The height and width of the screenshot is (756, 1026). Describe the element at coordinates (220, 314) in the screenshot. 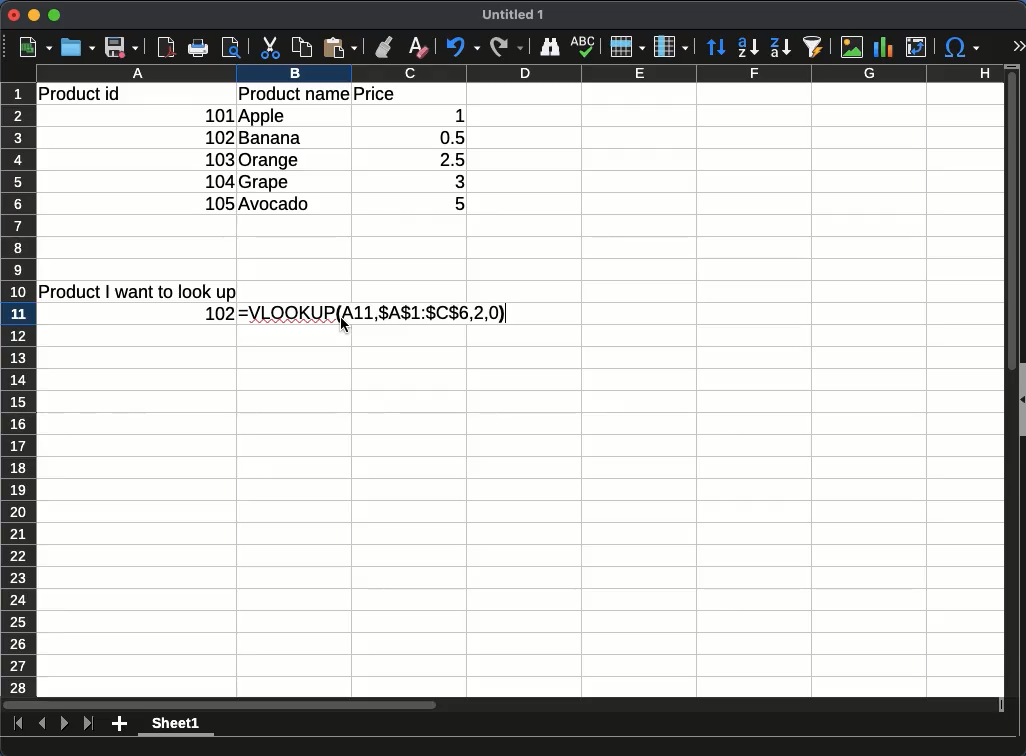

I see `102` at that location.